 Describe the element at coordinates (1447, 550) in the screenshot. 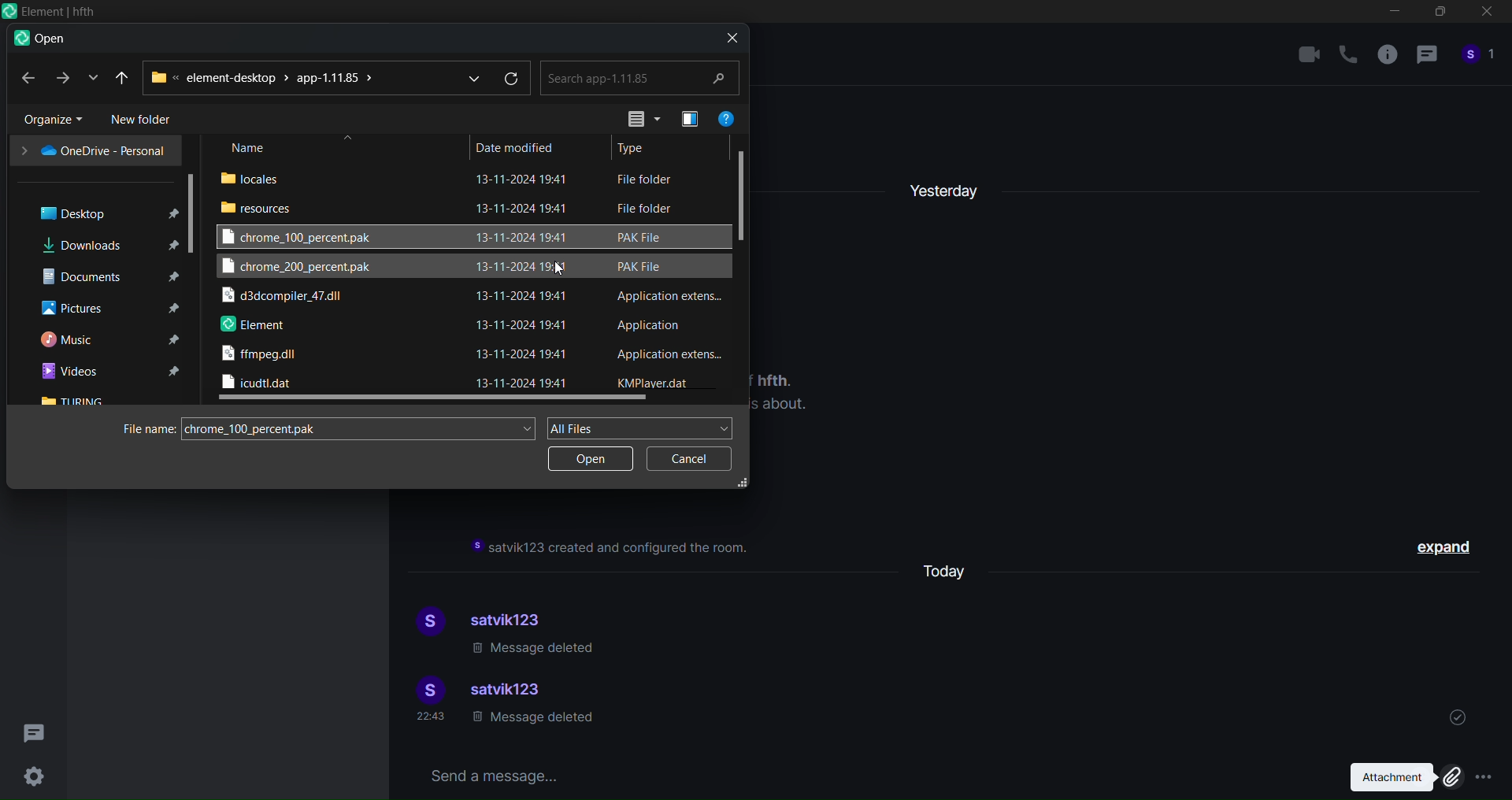

I see `expand` at that location.